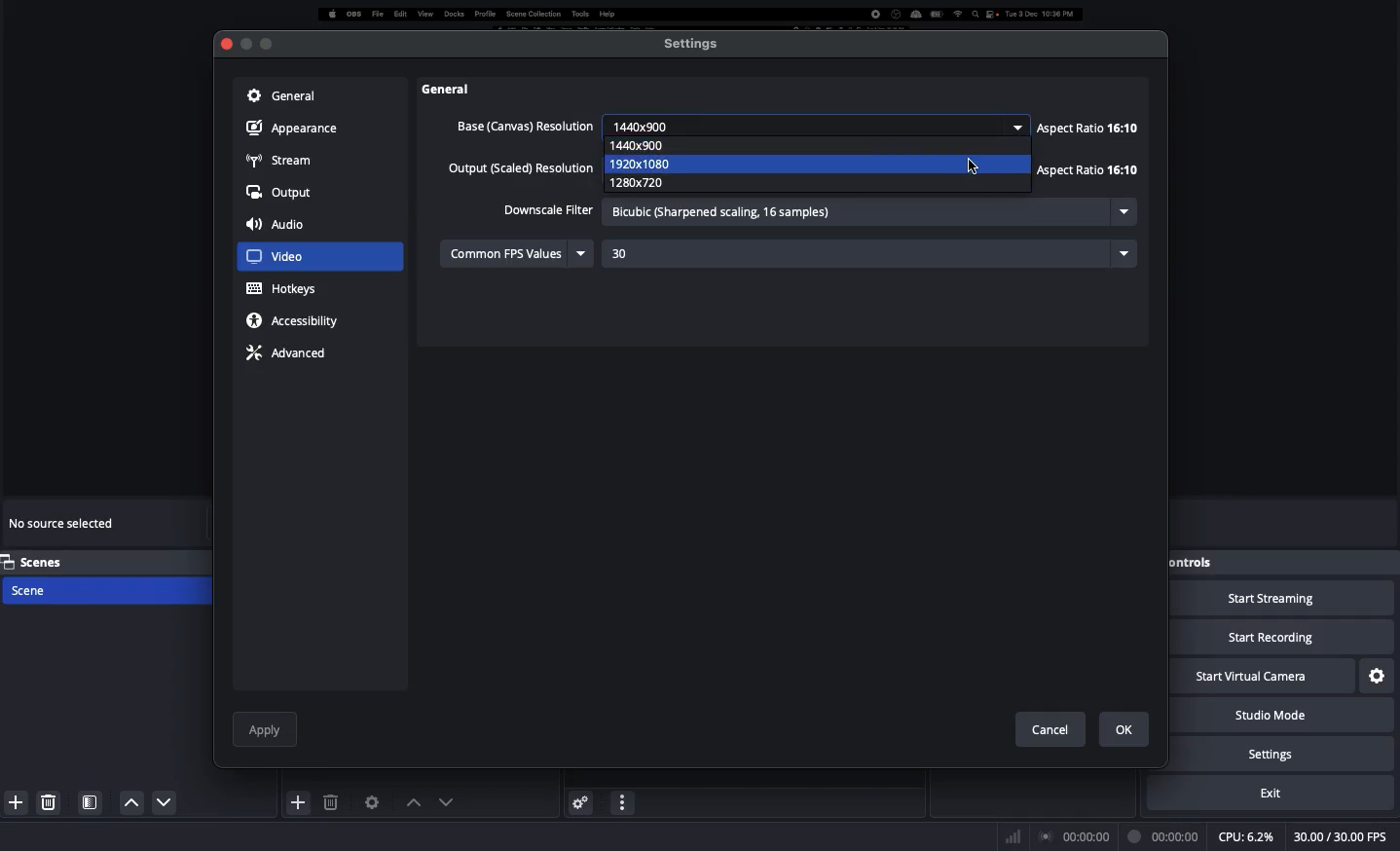 This screenshot has height=851, width=1400. I want to click on Broadcast, so click(1076, 836).